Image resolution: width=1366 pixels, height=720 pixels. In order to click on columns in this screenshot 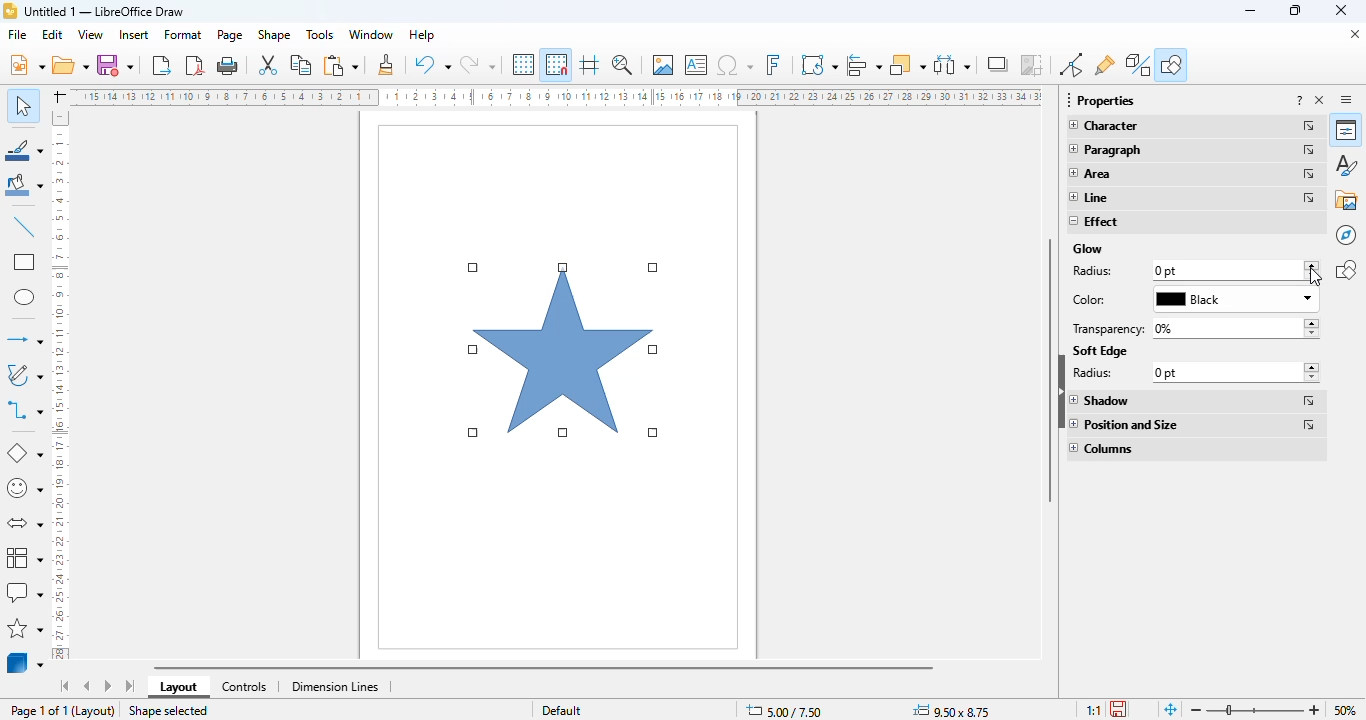, I will do `click(1101, 447)`.